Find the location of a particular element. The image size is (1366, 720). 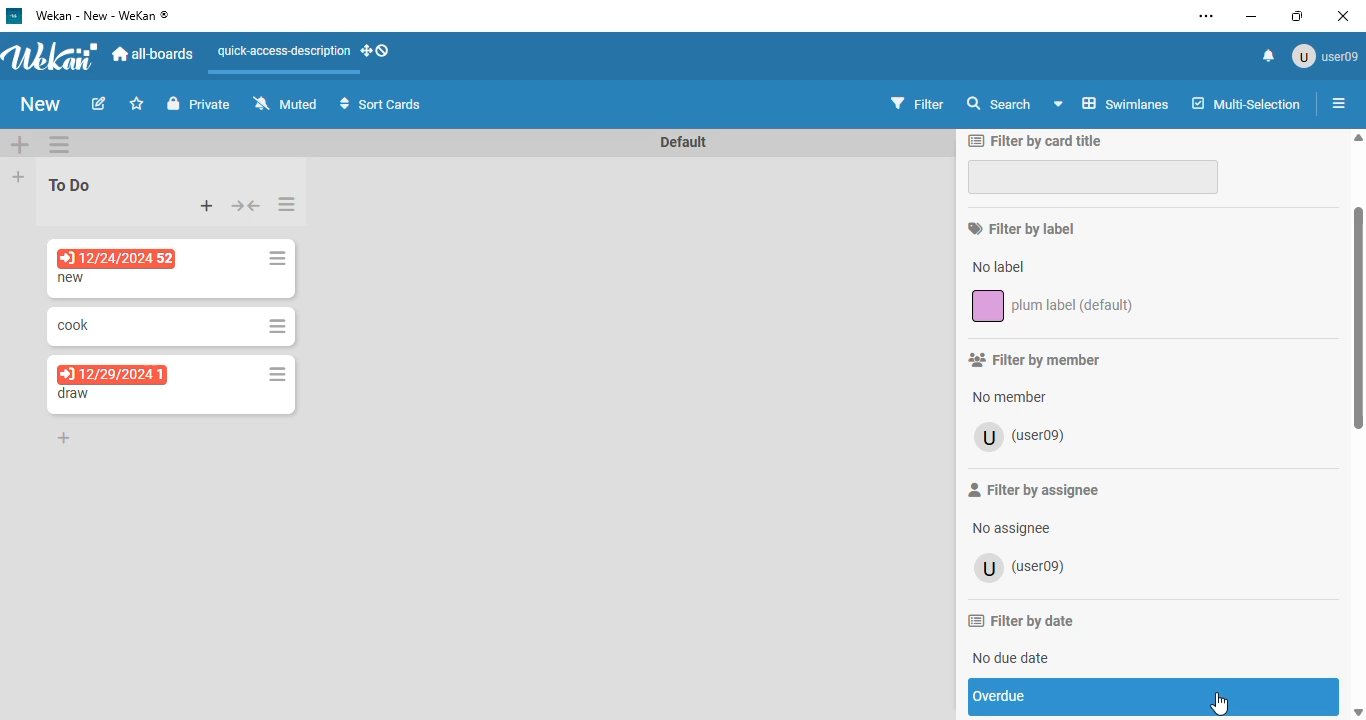

list actions is located at coordinates (288, 204).